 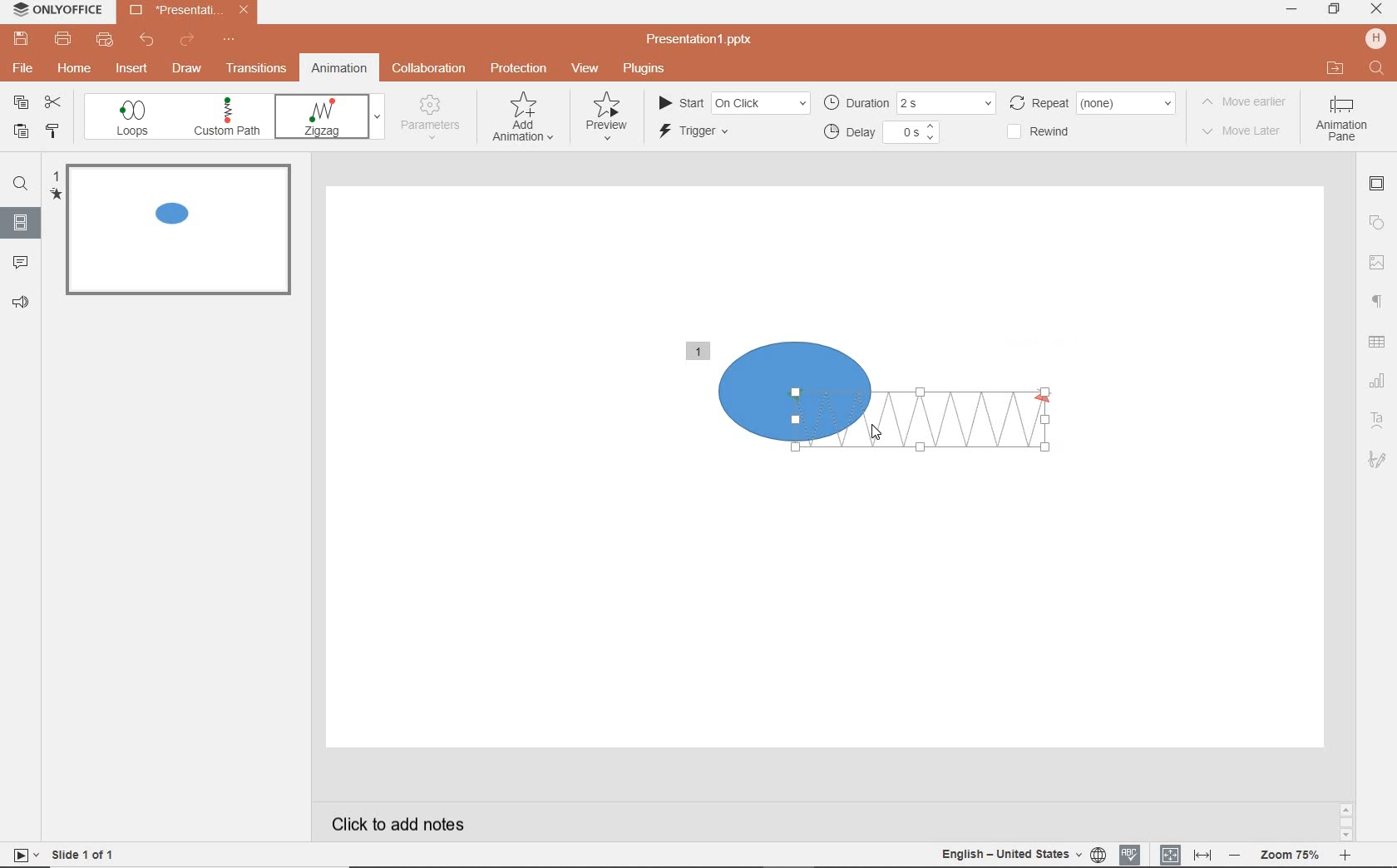 What do you see at coordinates (1334, 10) in the screenshot?
I see `RESTORE` at bounding box center [1334, 10].